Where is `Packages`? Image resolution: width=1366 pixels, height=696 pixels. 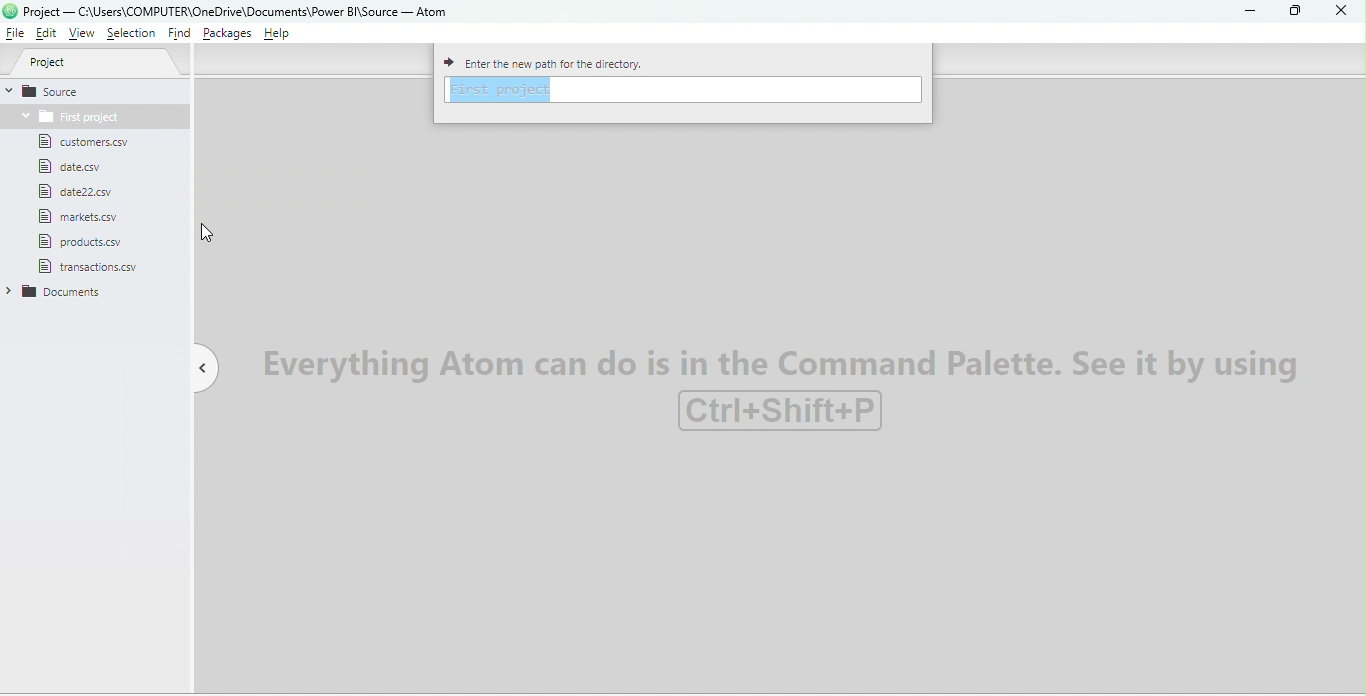 Packages is located at coordinates (225, 35).